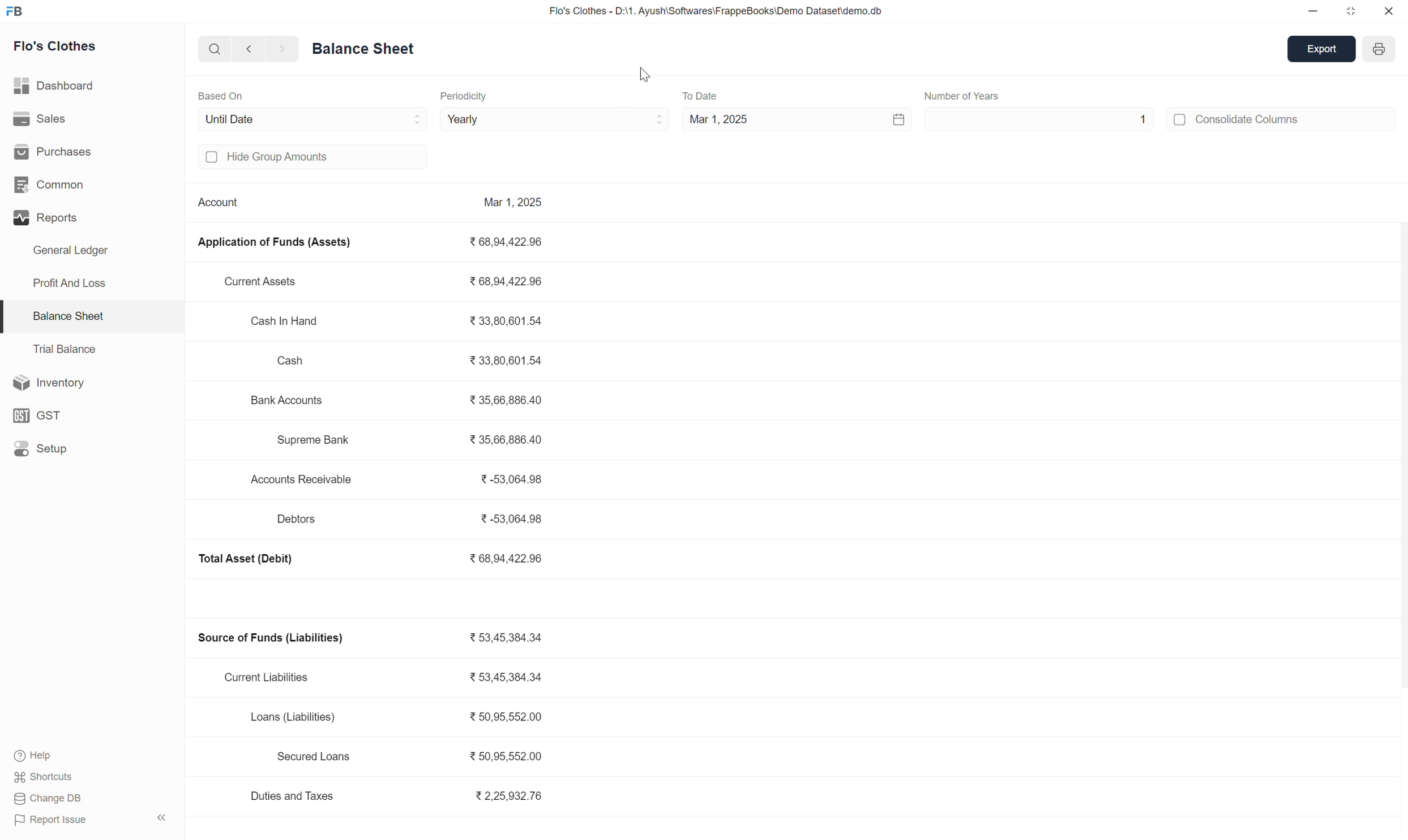 Image resolution: width=1408 pixels, height=840 pixels. I want to click on 35,66,886.40, so click(512, 400).